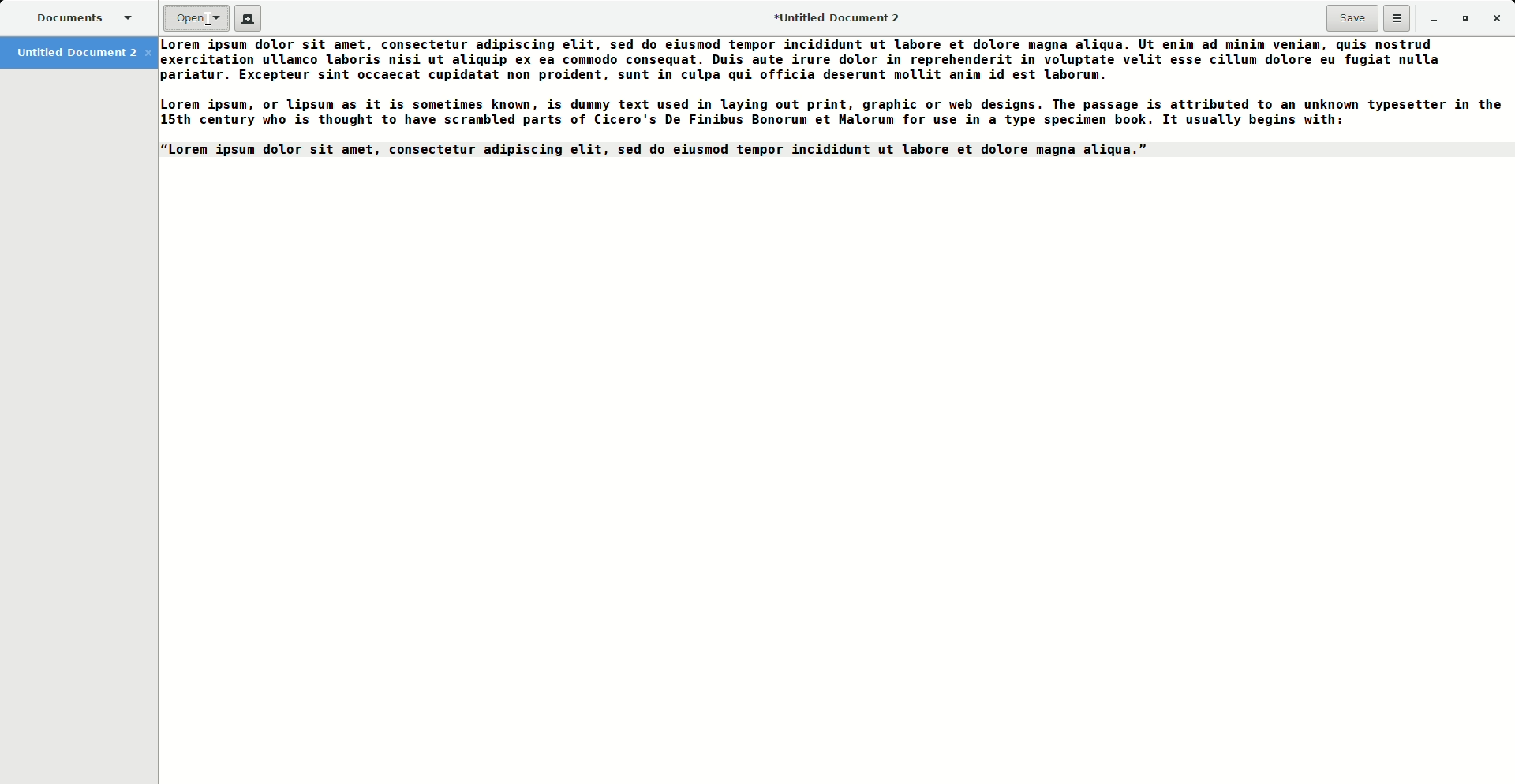 The height and width of the screenshot is (784, 1515). I want to click on Untitled Document 2, so click(844, 20).